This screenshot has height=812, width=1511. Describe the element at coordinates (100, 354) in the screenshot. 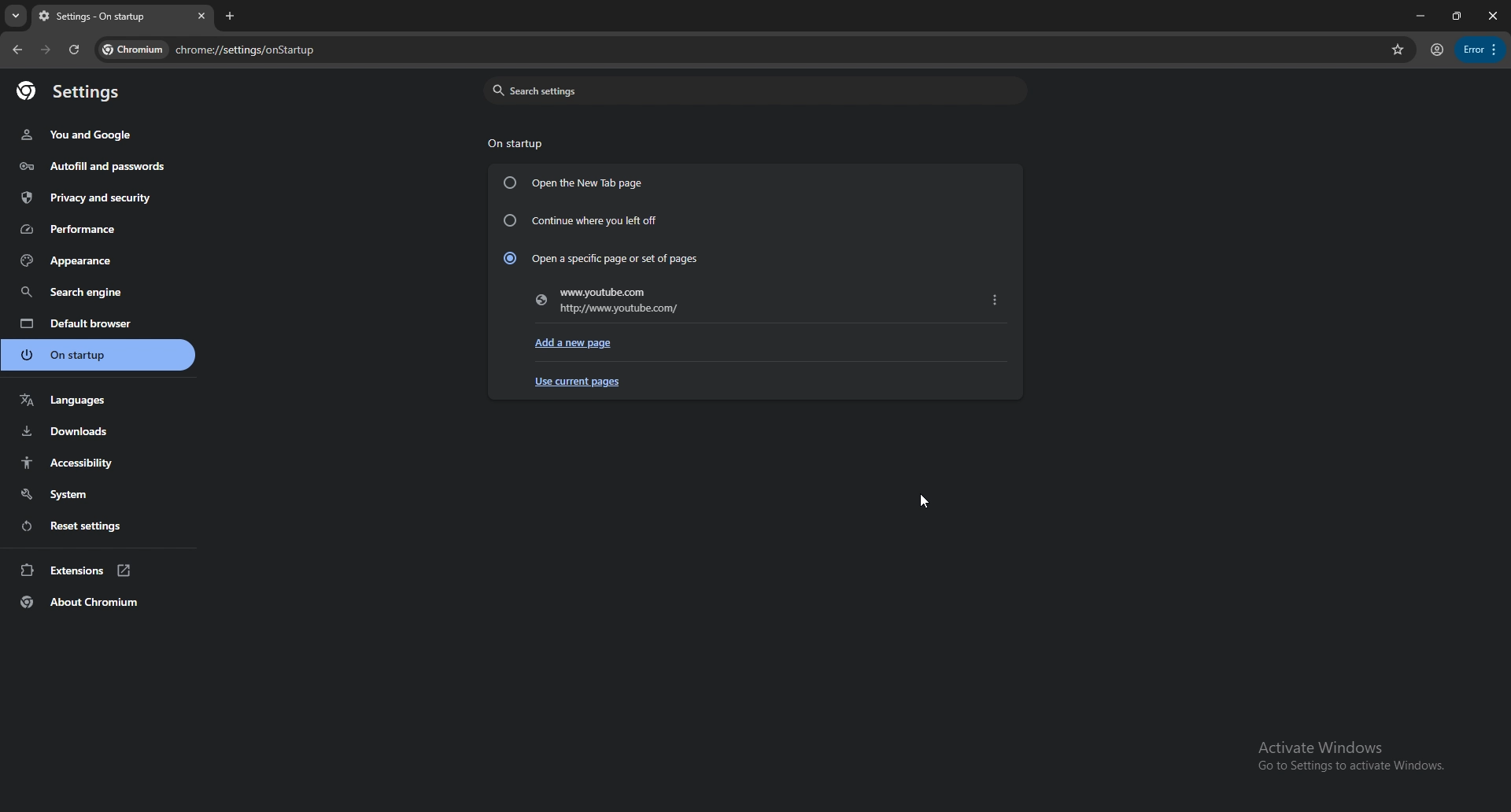

I see `on startup` at that location.